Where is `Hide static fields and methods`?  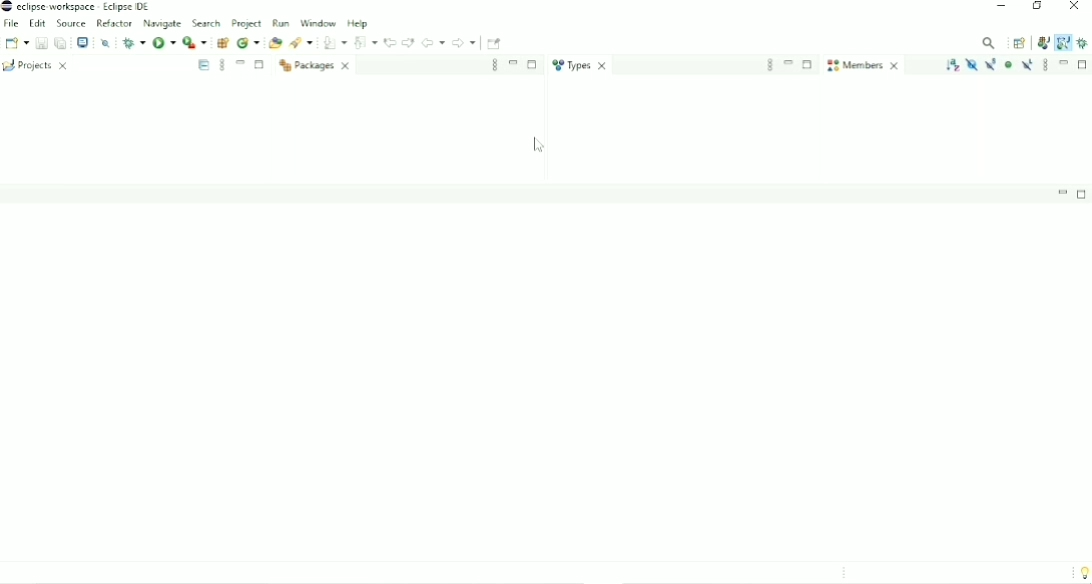 Hide static fields and methods is located at coordinates (991, 64).